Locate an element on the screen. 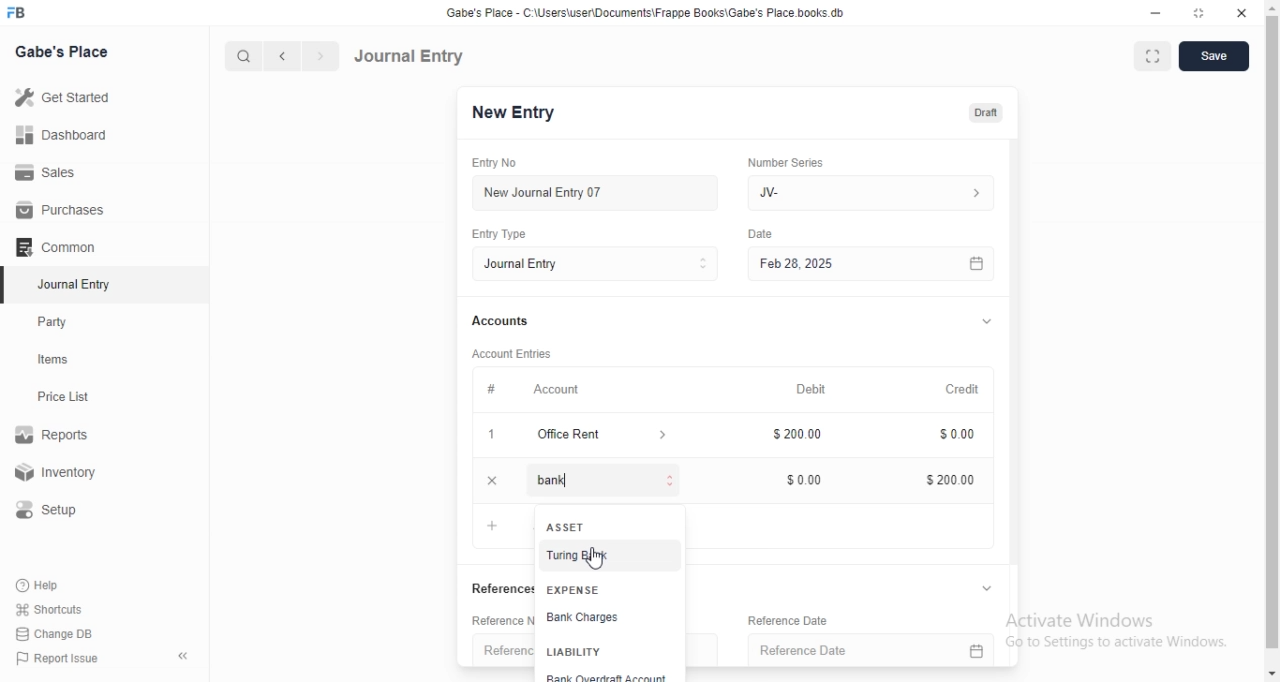 The height and width of the screenshot is (682, 1280). Entry Type is located at coordinates (509, 234).